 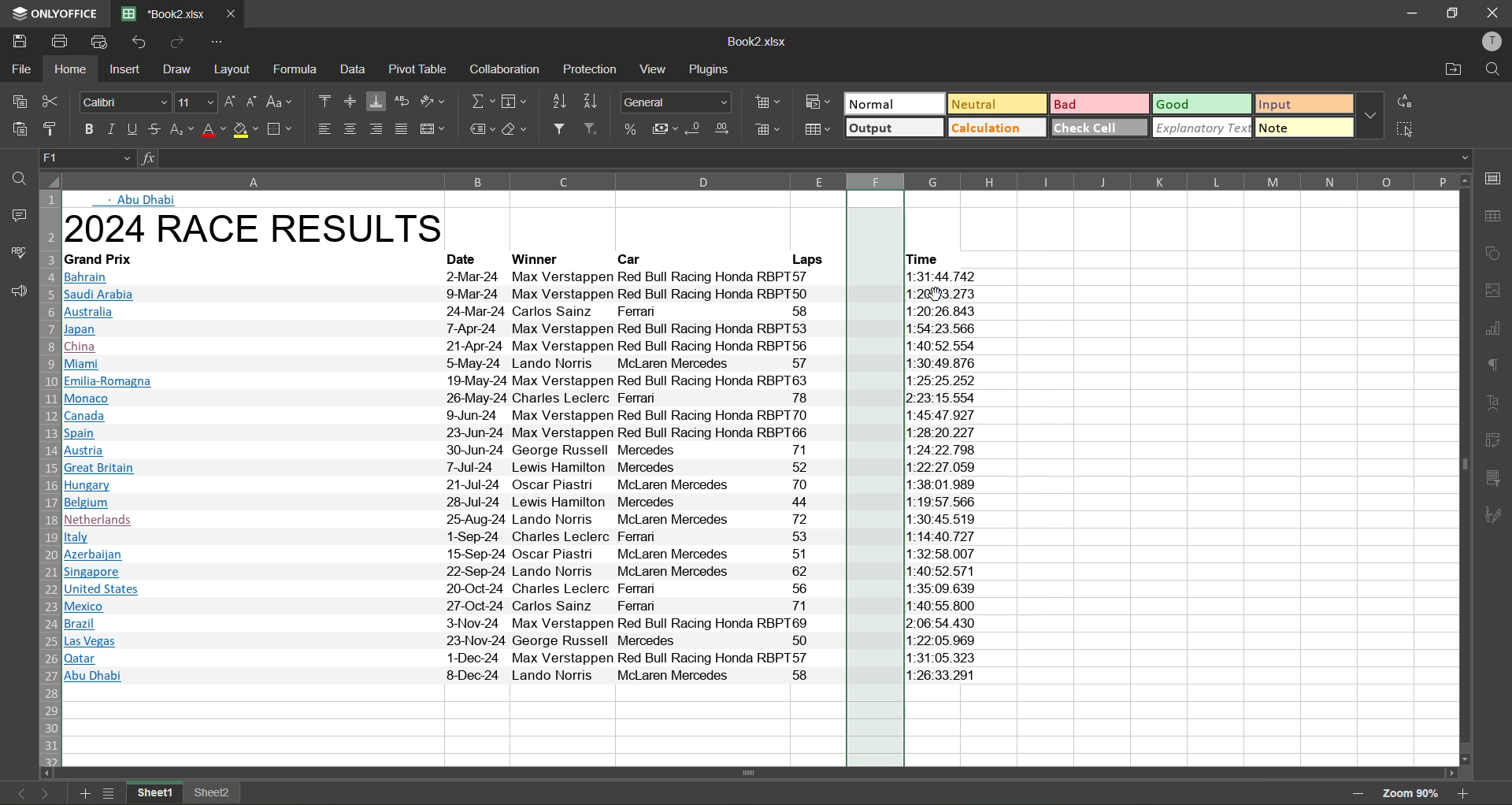 I want to click on previous, so click(x=13, y=792).